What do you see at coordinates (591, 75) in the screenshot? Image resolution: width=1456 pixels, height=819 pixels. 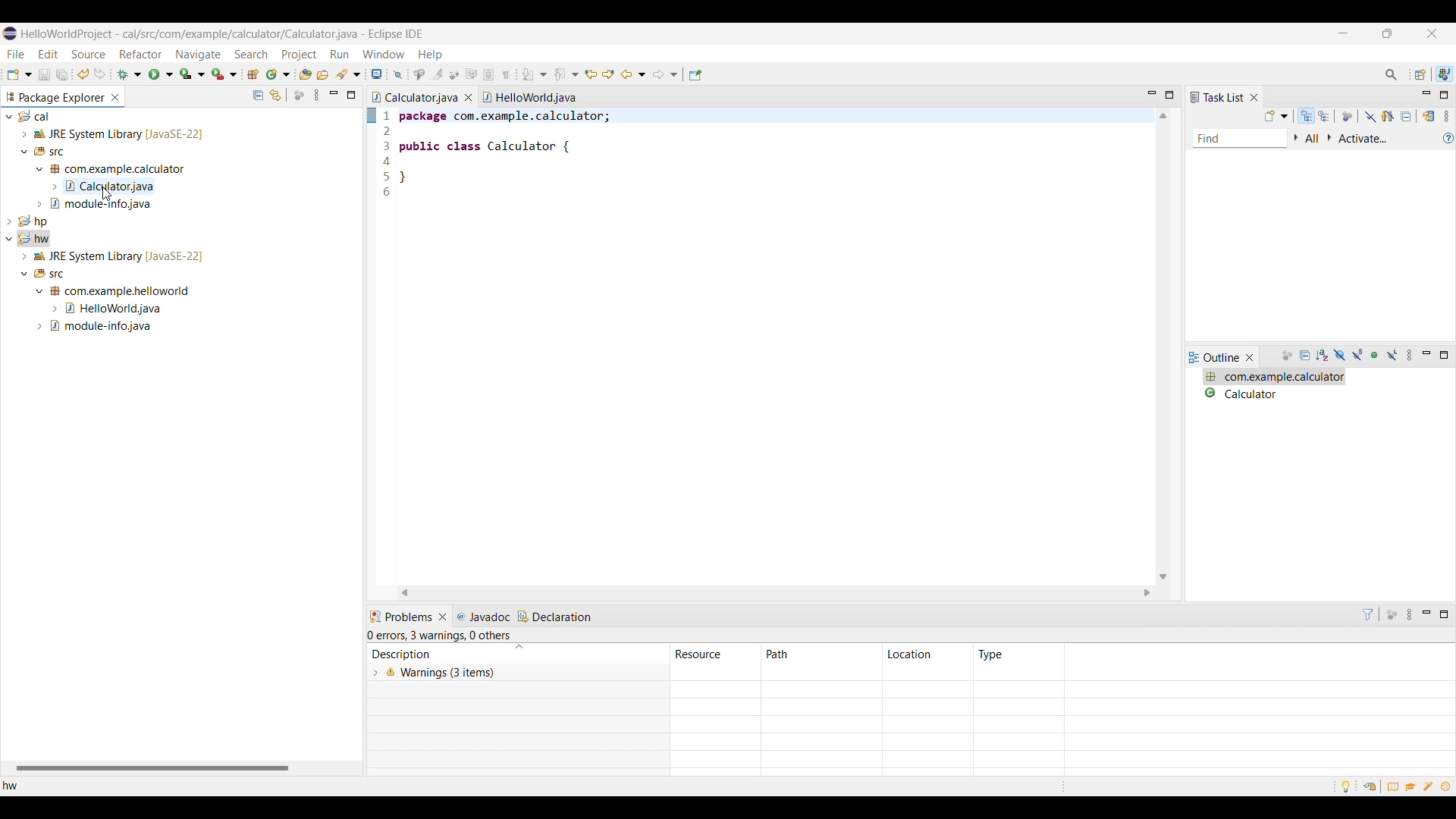 I see `Previous edit location` at bounding box center [591, 75].